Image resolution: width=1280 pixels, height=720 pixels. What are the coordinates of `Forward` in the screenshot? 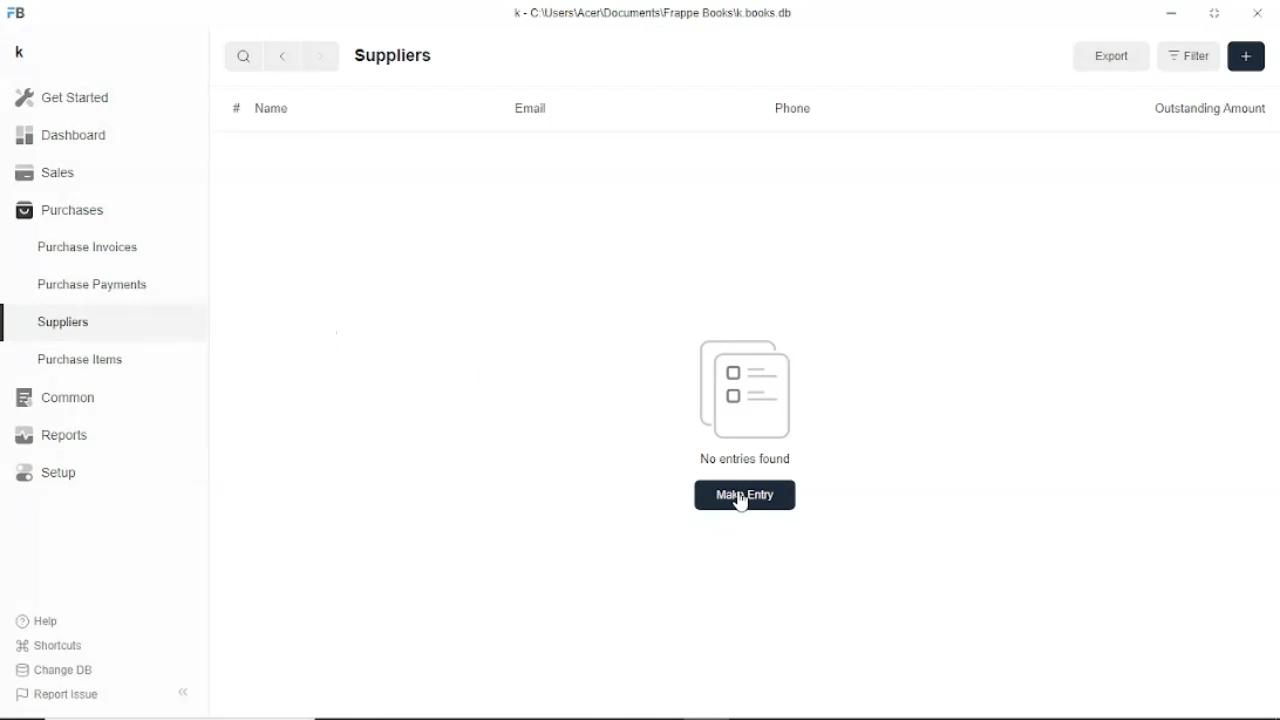 It's located at (322, 55).